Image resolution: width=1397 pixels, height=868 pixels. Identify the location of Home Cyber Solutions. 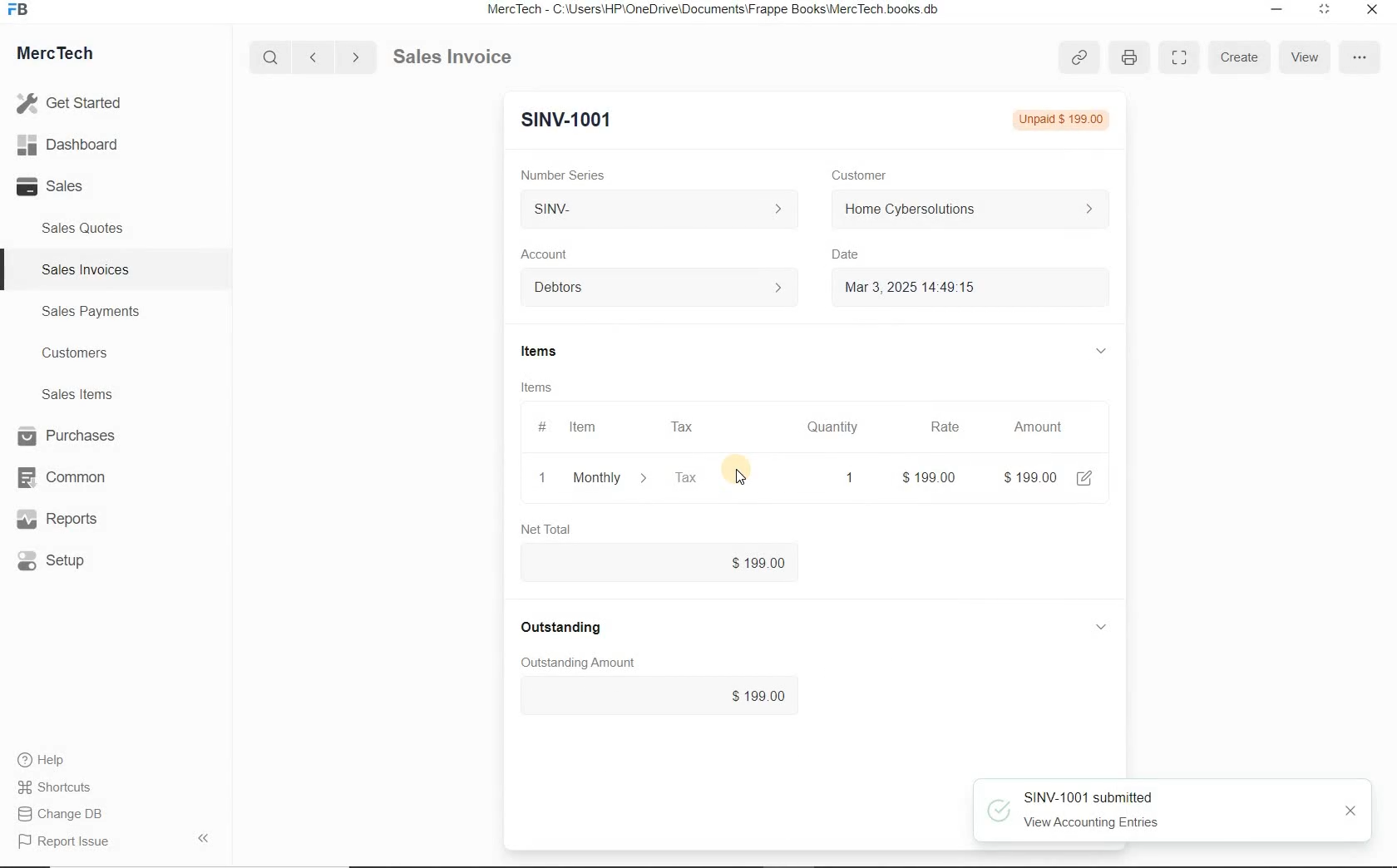
(961, 210).